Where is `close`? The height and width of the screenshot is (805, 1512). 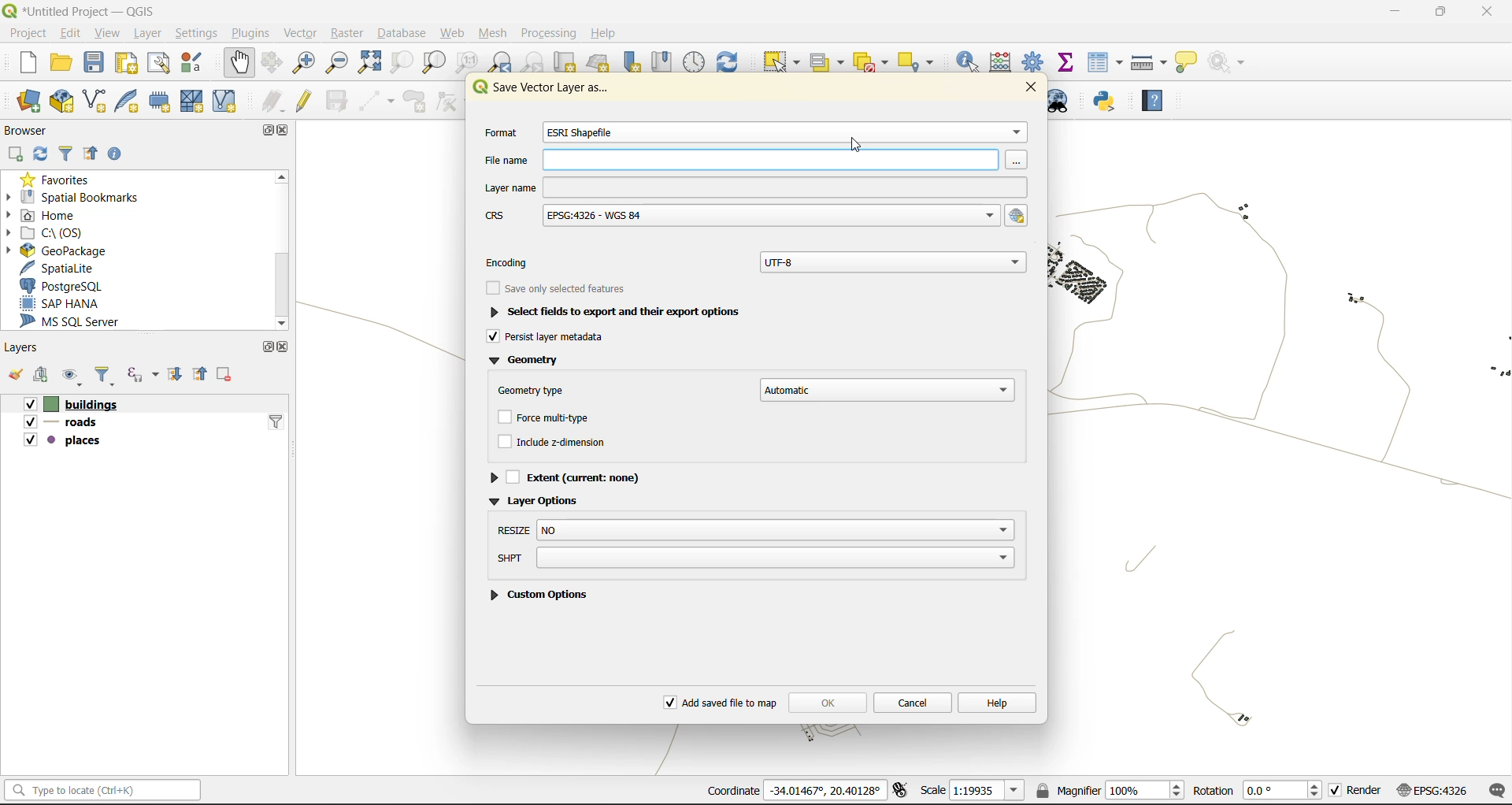 close is located at coordinates (284, 347).